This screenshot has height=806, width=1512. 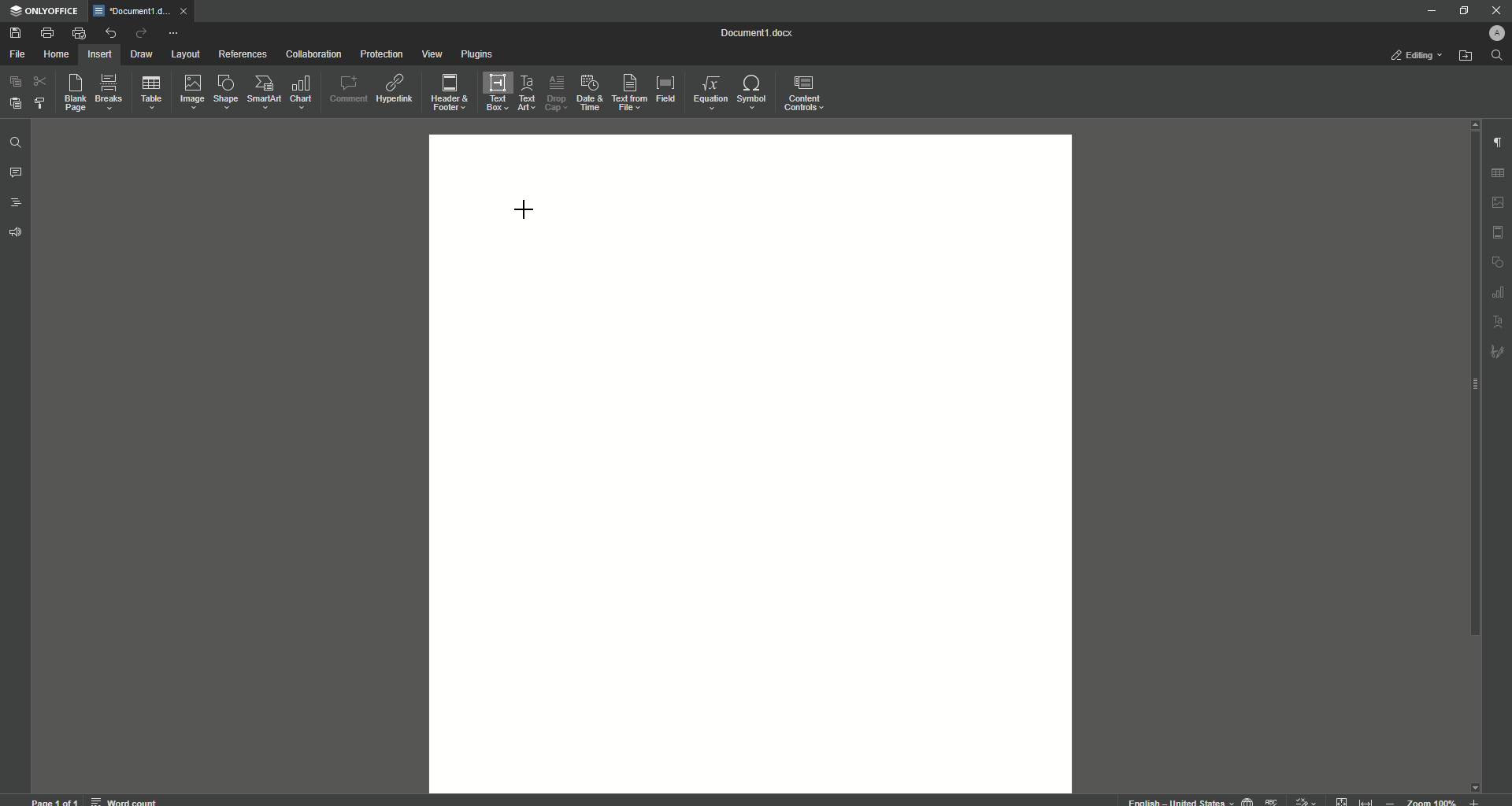 What do you see at coordinates (1173, 800) in the screenshot?
I see `text language` at bounding box center [1173, 800].